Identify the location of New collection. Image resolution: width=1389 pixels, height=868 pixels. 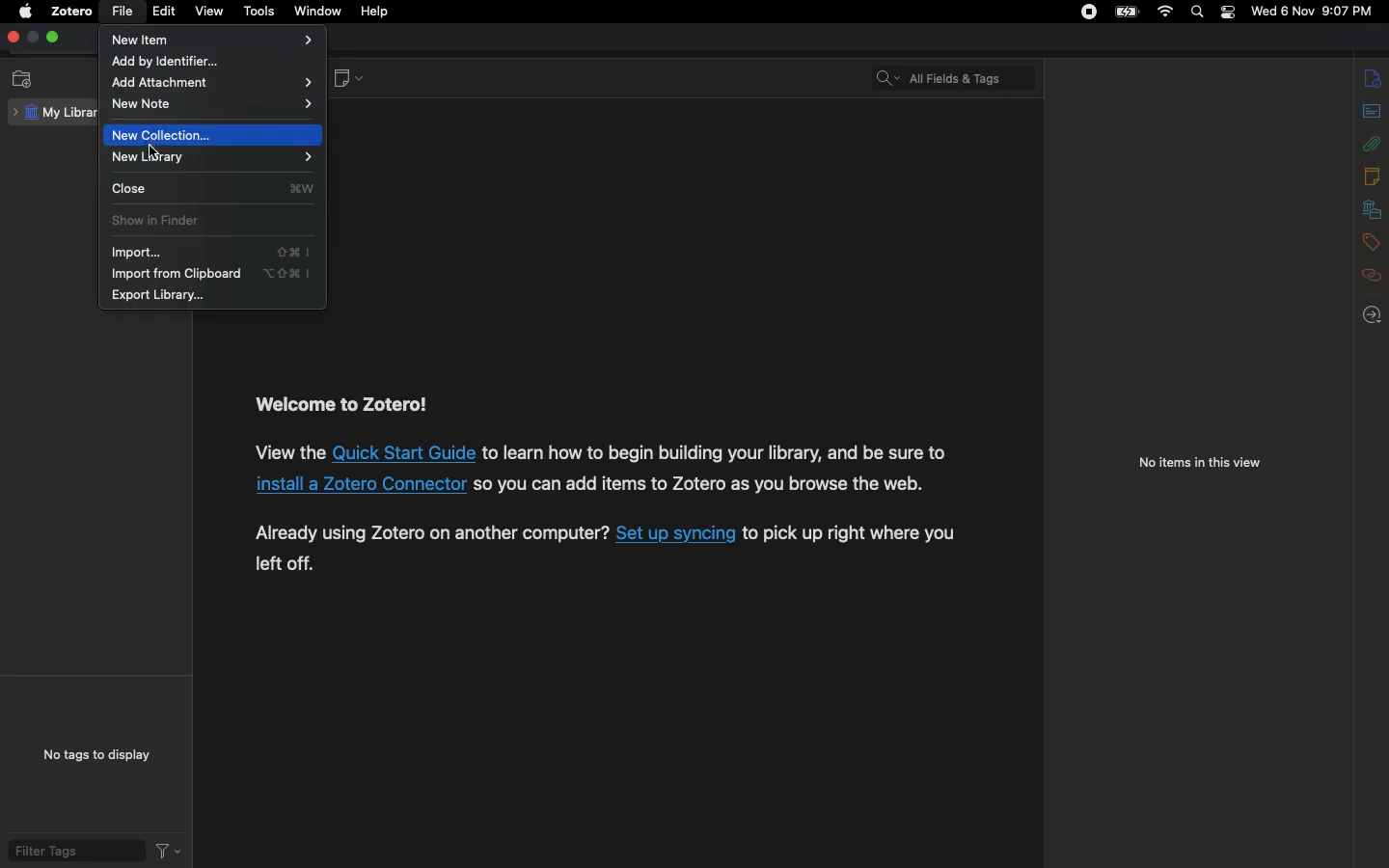
(23, 79).